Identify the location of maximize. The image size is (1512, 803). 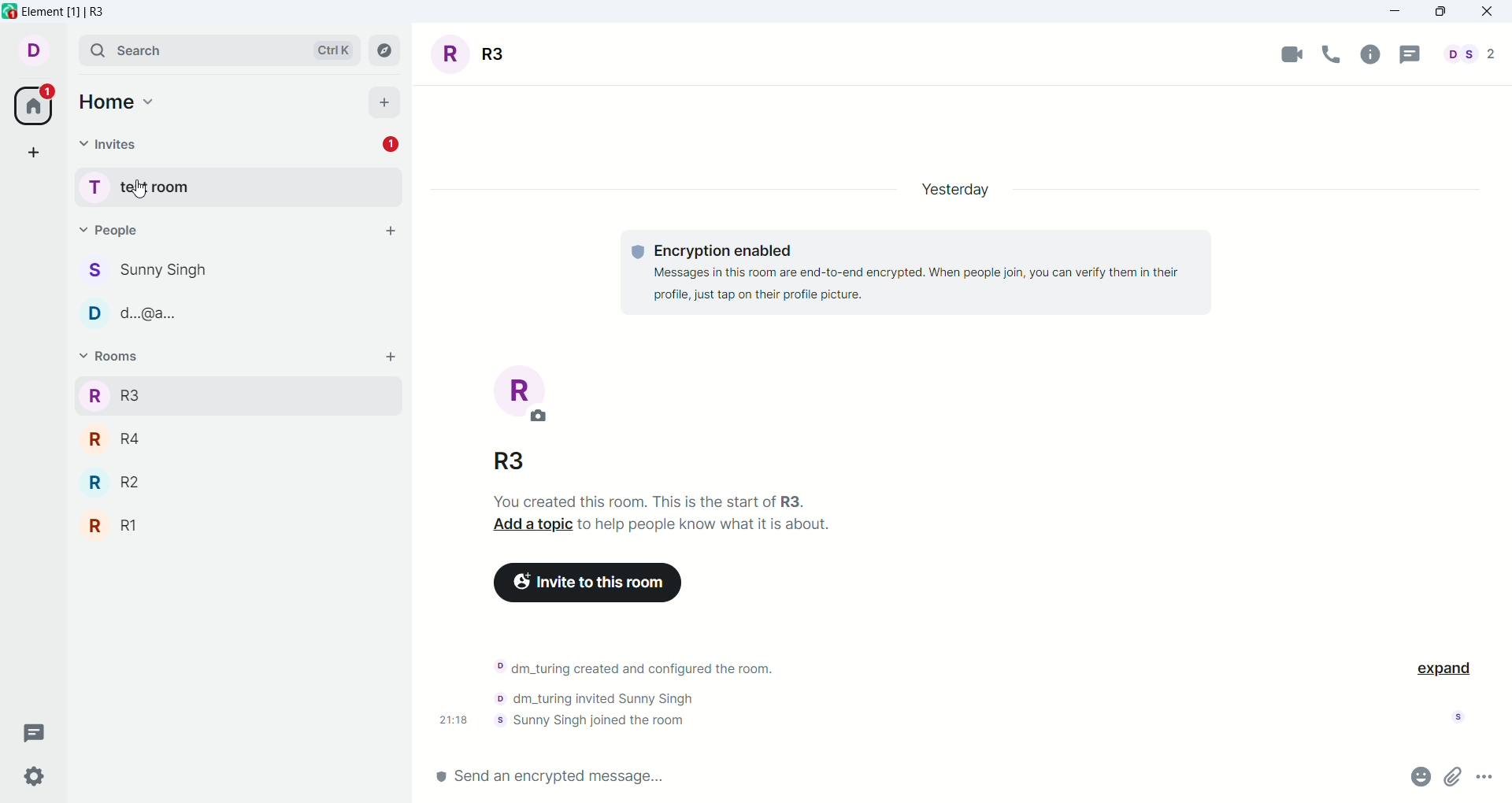
(1440, 13).